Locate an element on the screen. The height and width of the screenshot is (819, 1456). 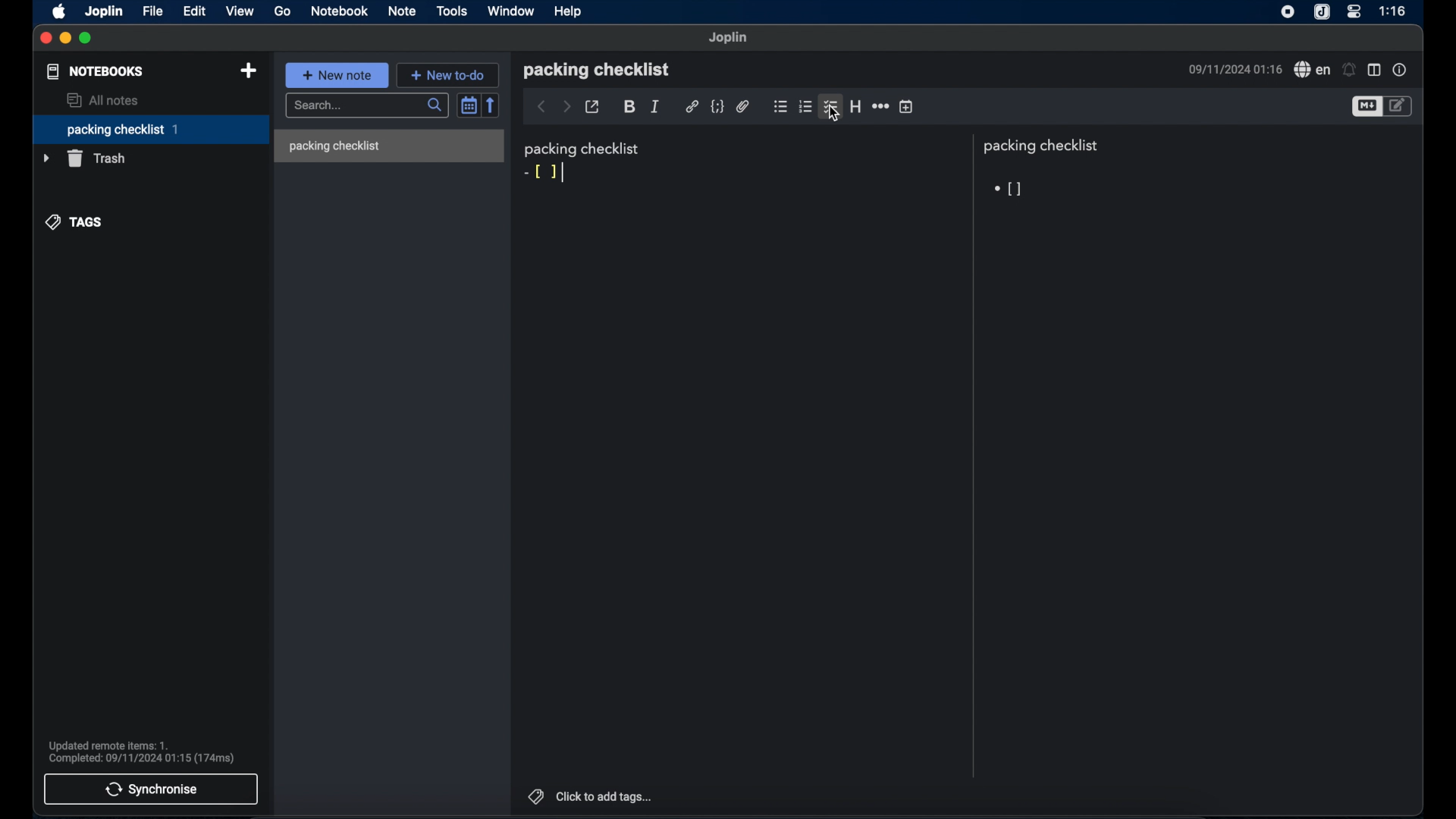
packing checklist is located at coordinates (1044, 146).